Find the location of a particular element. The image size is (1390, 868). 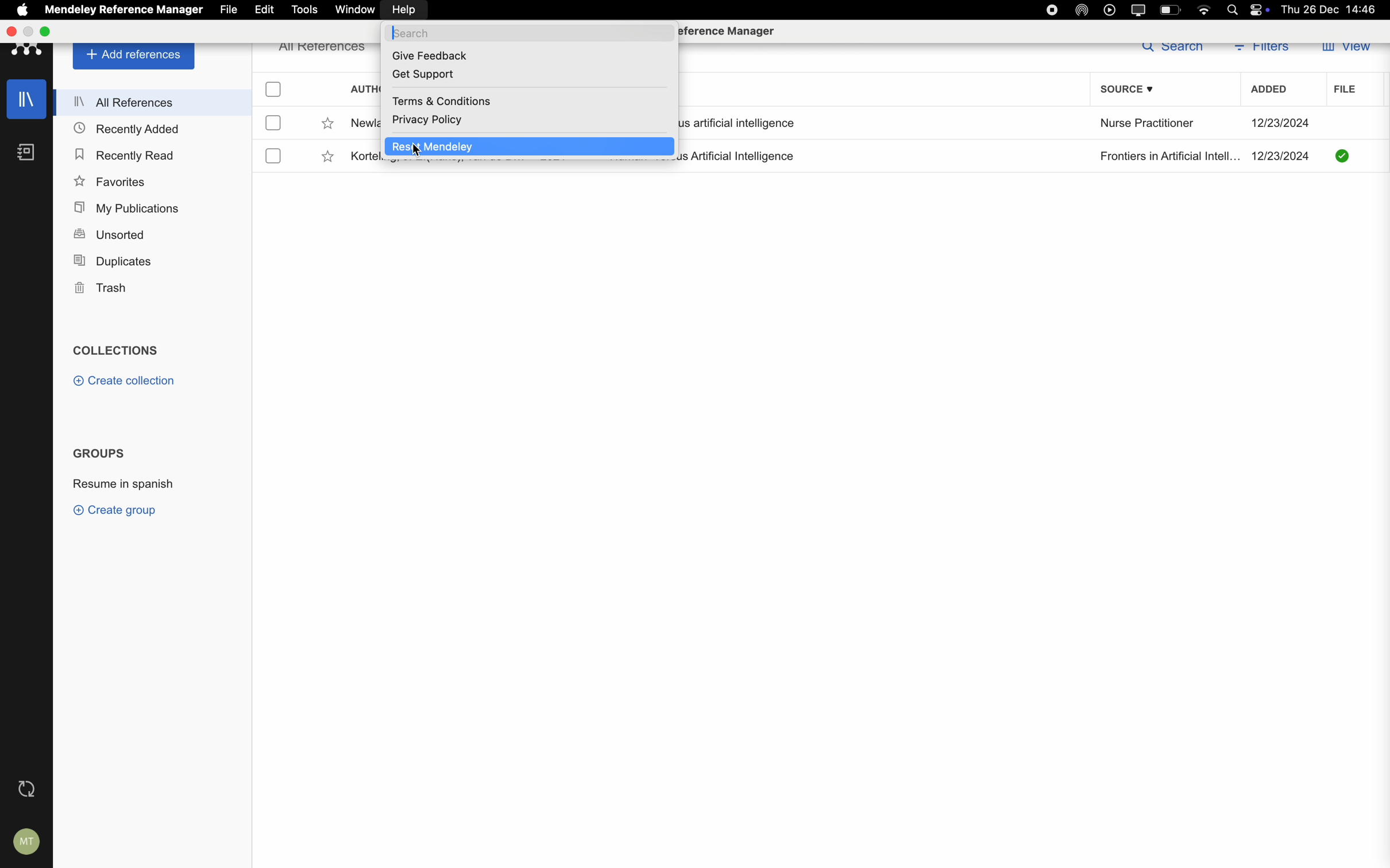

get support is located at coordinates (424, 75).